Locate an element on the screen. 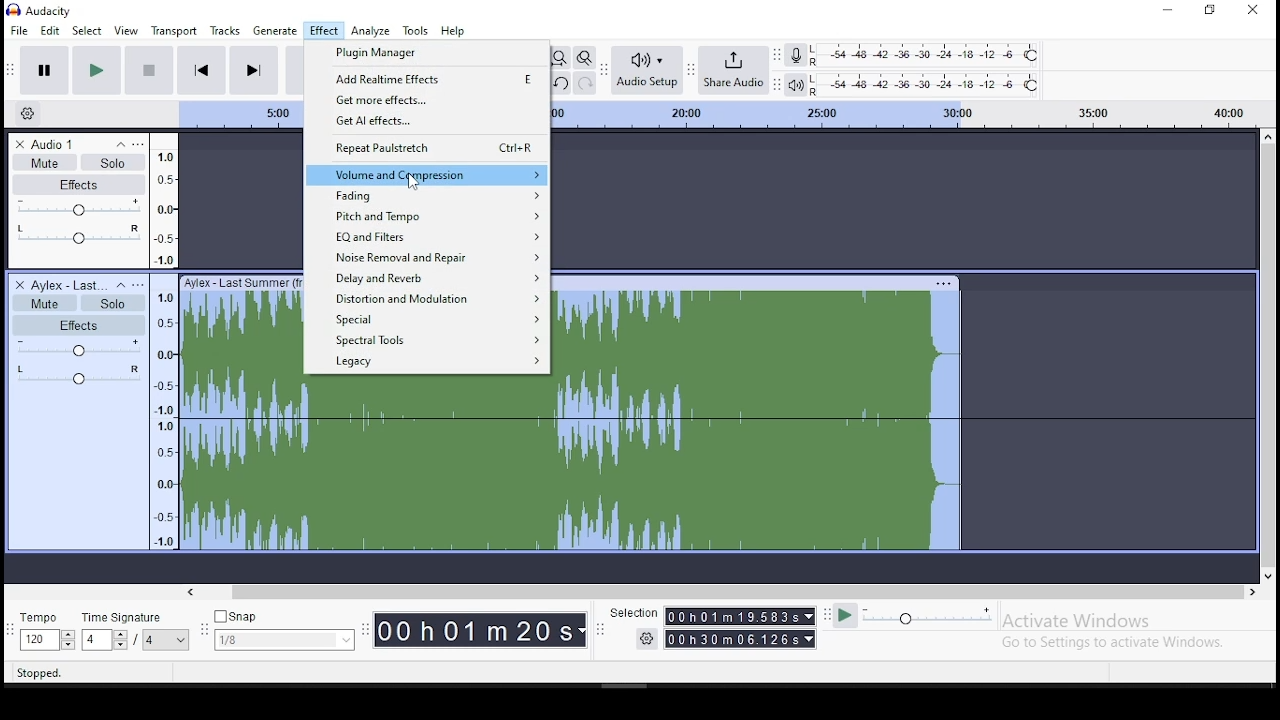 The image size is (1280, 720). rime signature is located at coordinates (136, 632).